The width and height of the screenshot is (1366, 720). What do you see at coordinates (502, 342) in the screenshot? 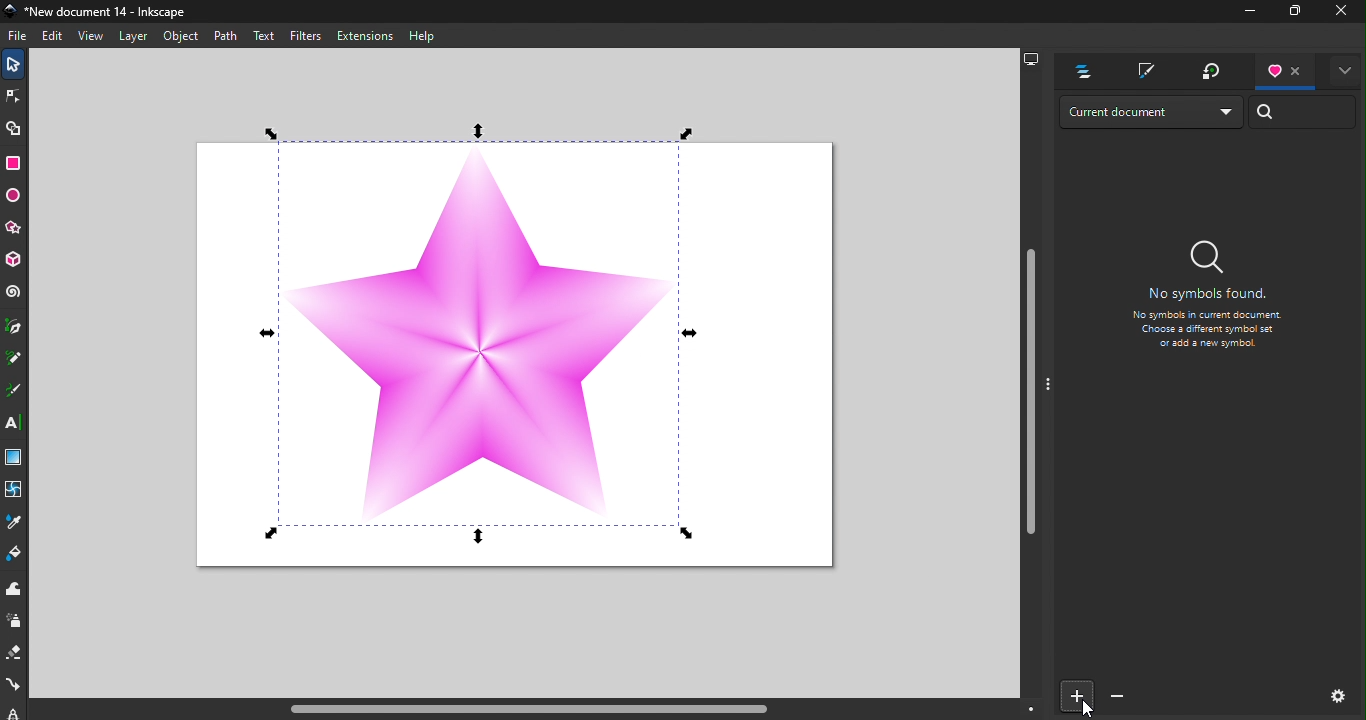
I see `Canvas` at bounding box center [502, 342].